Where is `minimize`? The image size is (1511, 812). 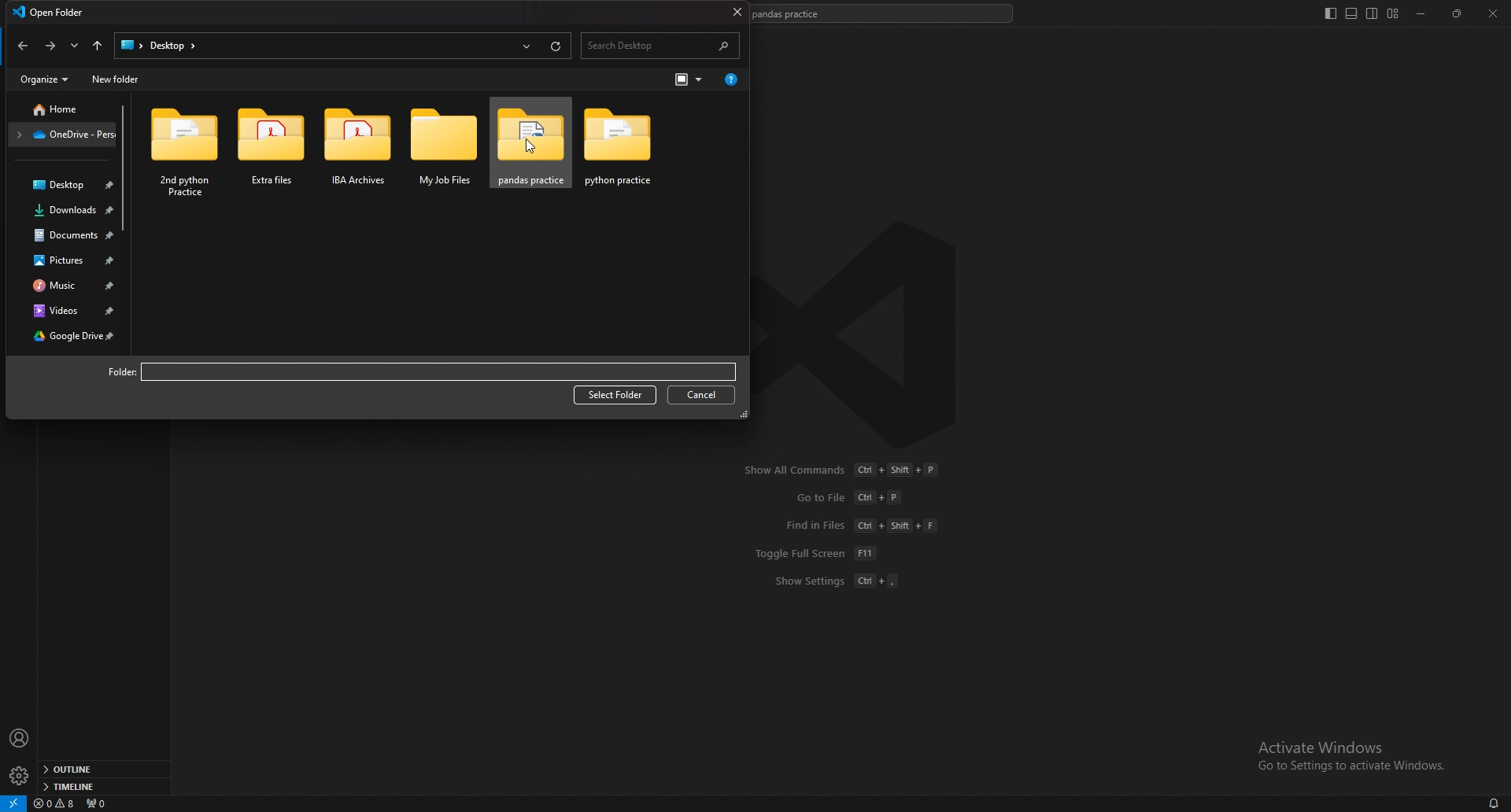
minimize is located at coordinates (1425, 14).